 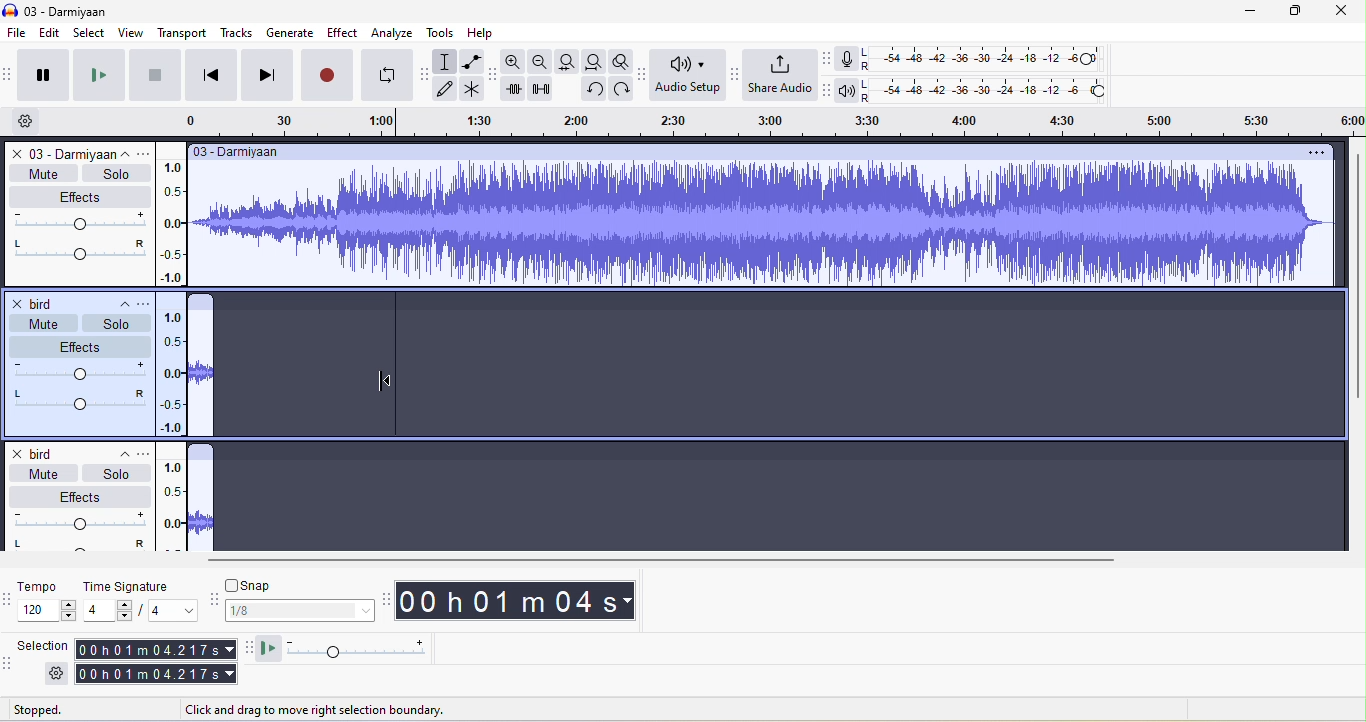 What do you see at coordinates (44, 75) in the screenshot?
I see `pause` at bounding box center [44, 75].